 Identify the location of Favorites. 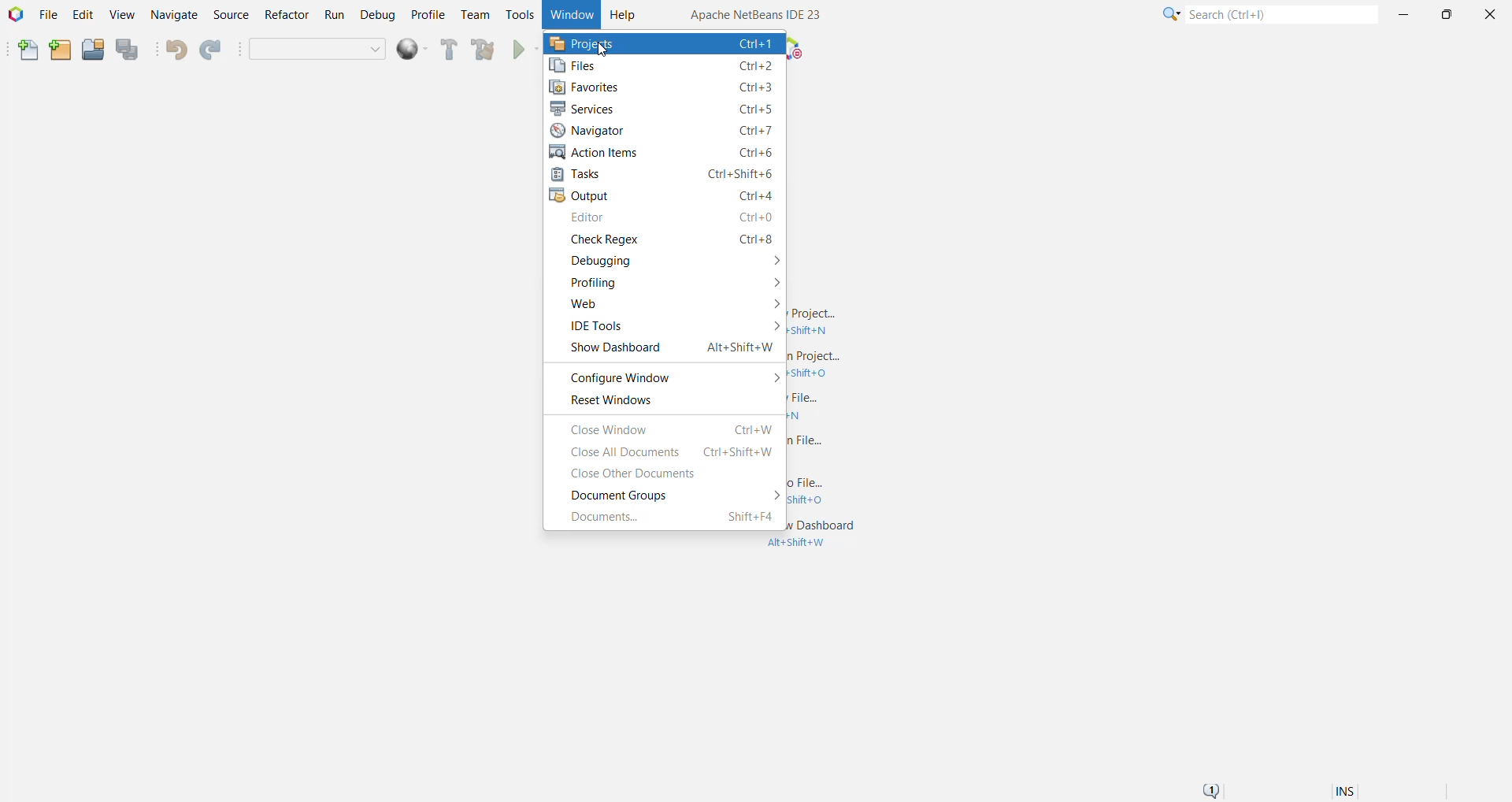
(667, 87).